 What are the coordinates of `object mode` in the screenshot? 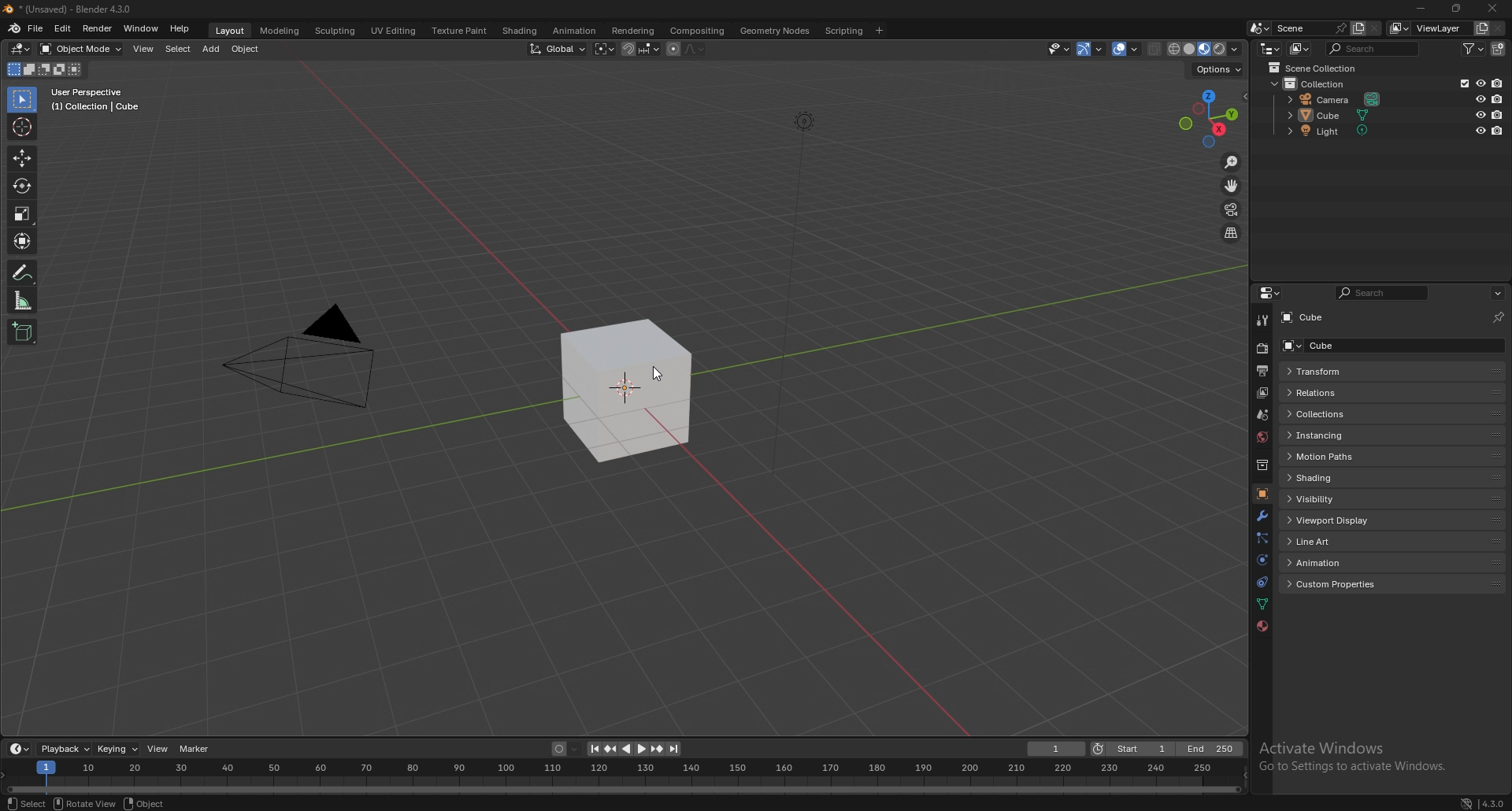 It's located at (81, 48).